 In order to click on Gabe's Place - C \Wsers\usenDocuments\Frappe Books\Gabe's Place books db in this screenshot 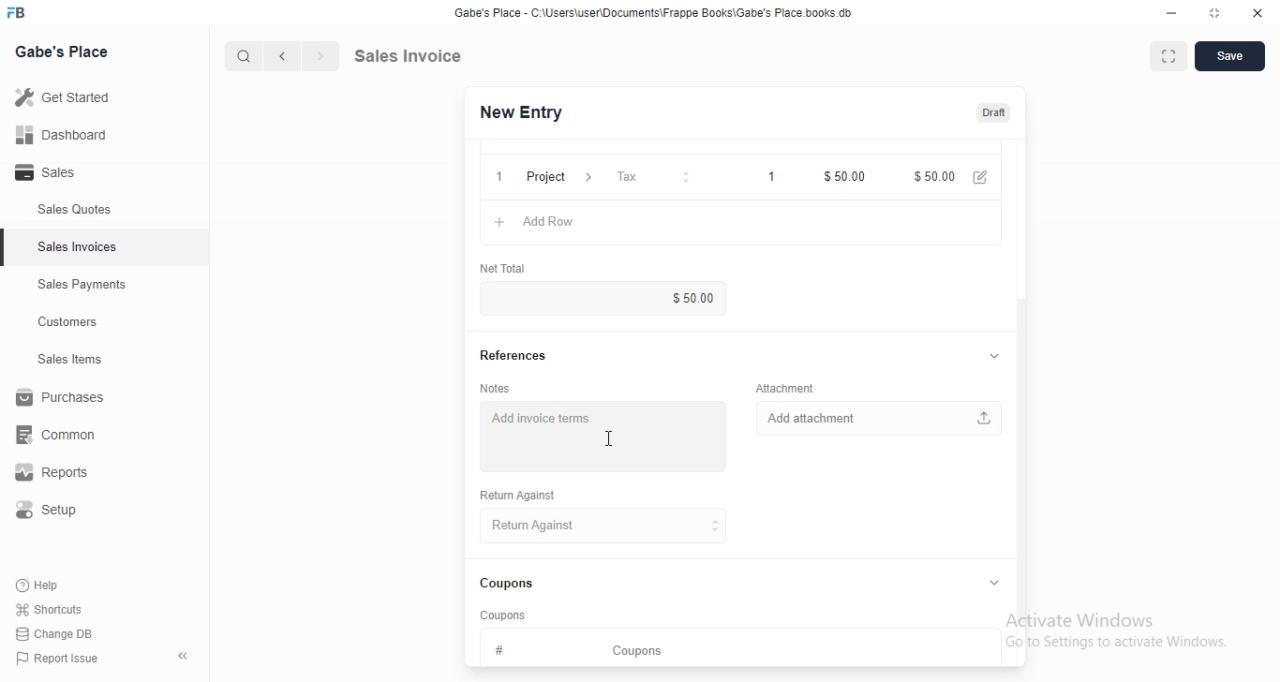, I will do `click(658, 16)`.